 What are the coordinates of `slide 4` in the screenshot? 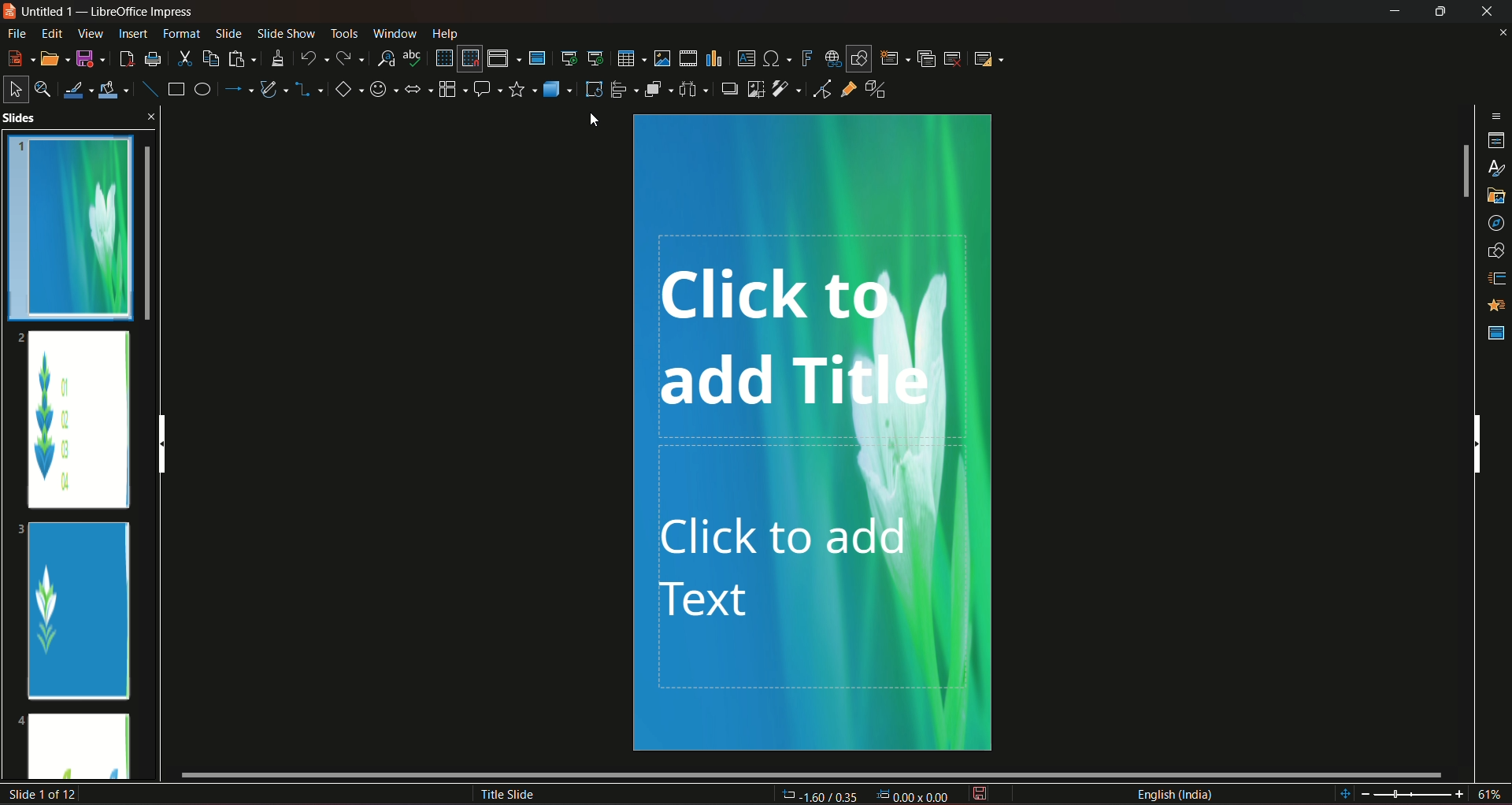 It's located at (78, 744).